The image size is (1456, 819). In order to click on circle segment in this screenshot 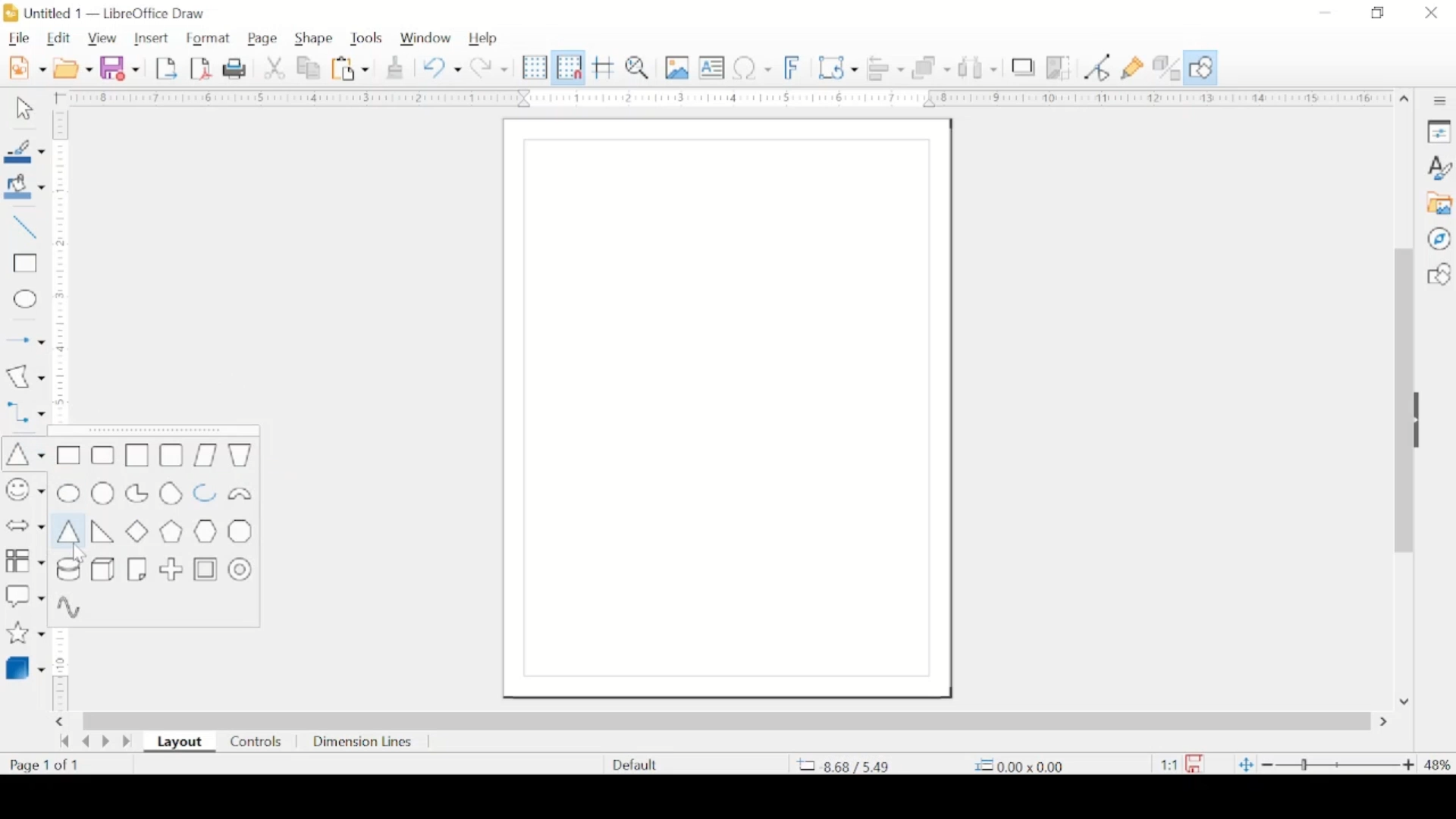, I will do `click(171, 494)`.